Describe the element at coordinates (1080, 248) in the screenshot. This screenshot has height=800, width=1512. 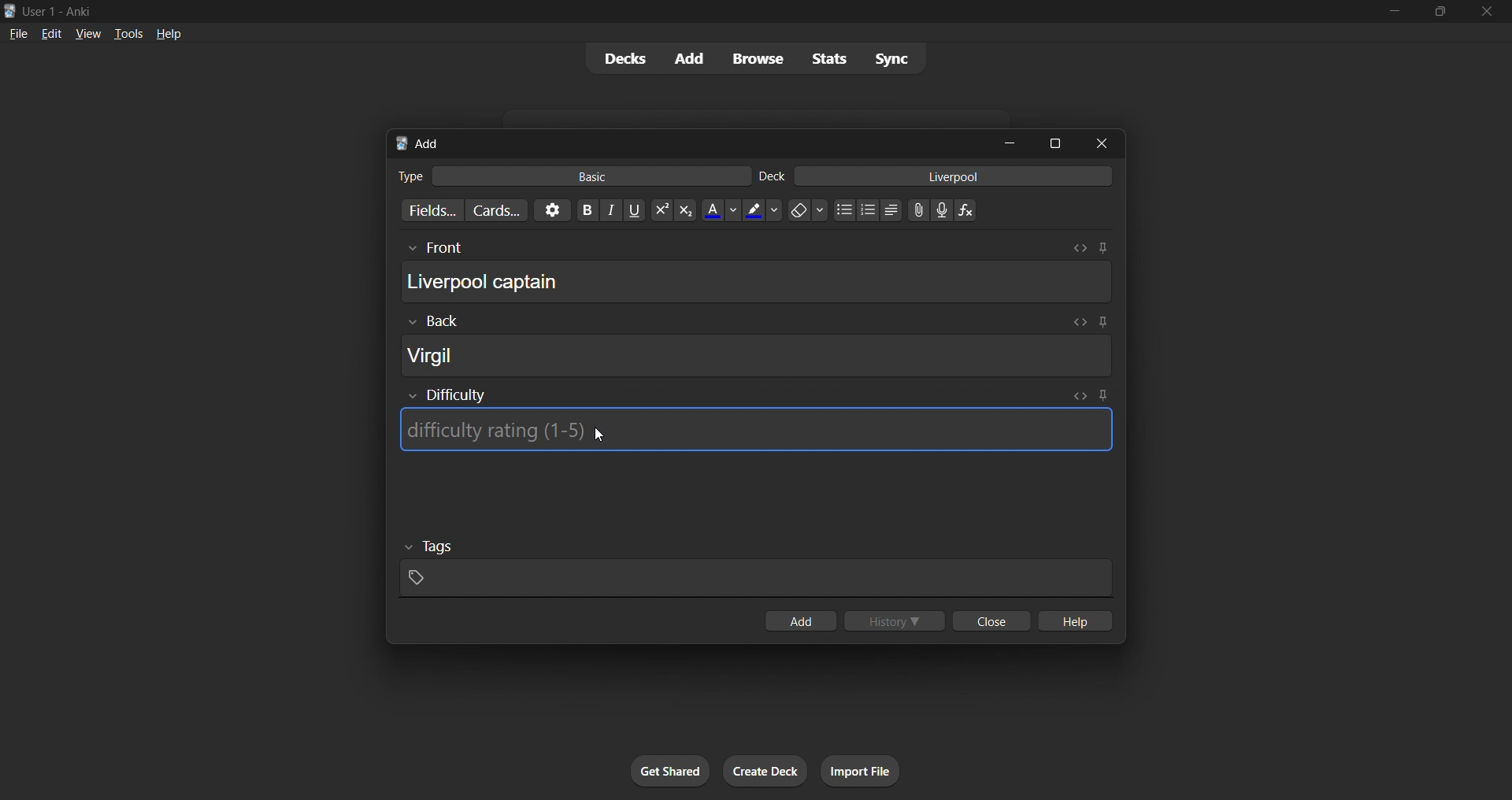
I see `Toggle HTML editor` at that location.